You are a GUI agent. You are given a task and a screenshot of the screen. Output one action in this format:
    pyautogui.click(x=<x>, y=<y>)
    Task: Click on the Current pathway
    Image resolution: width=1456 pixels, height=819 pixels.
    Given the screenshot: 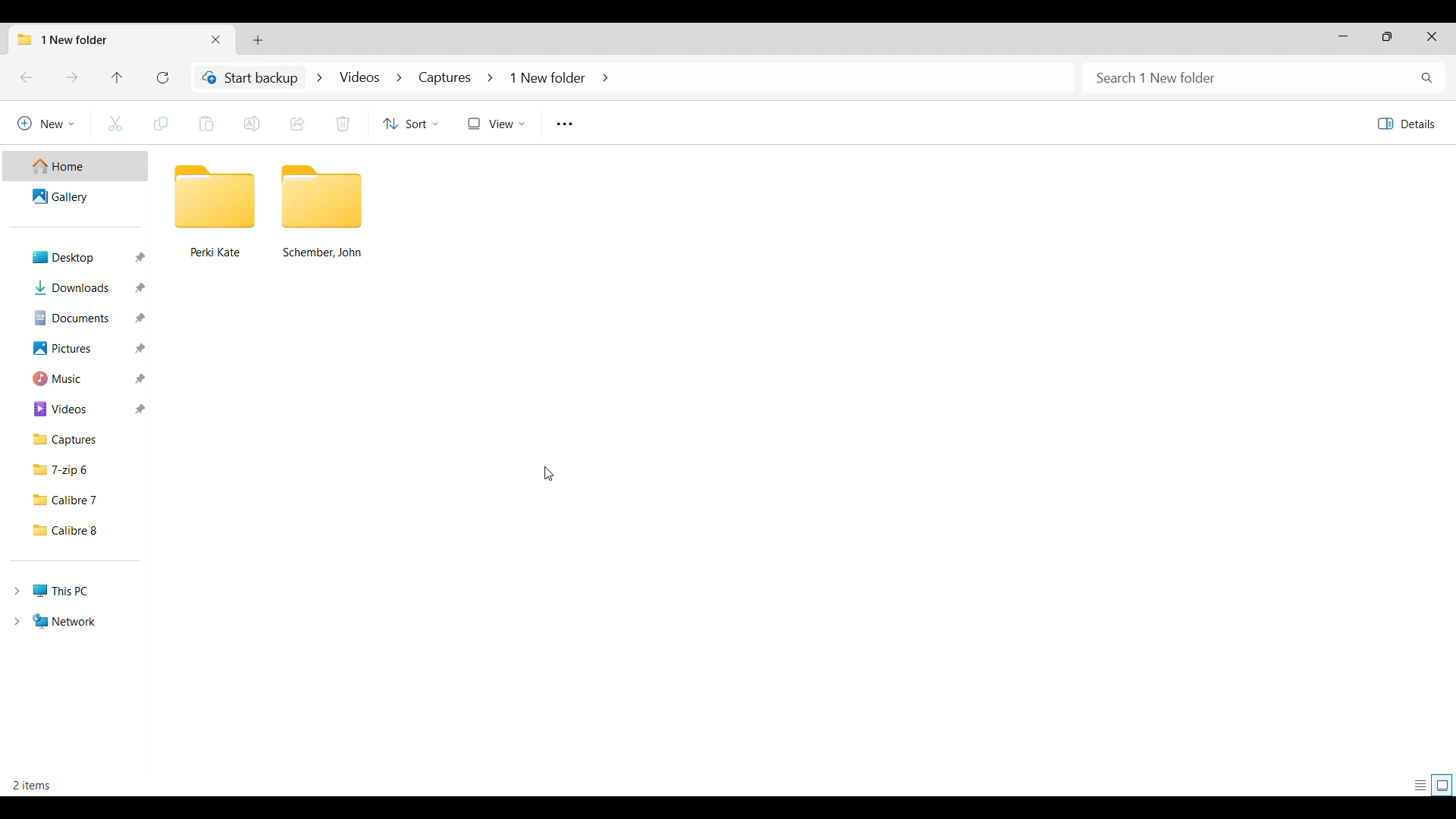 What is the action you would take?
    pyautogui.click(x=462, y=77)
    